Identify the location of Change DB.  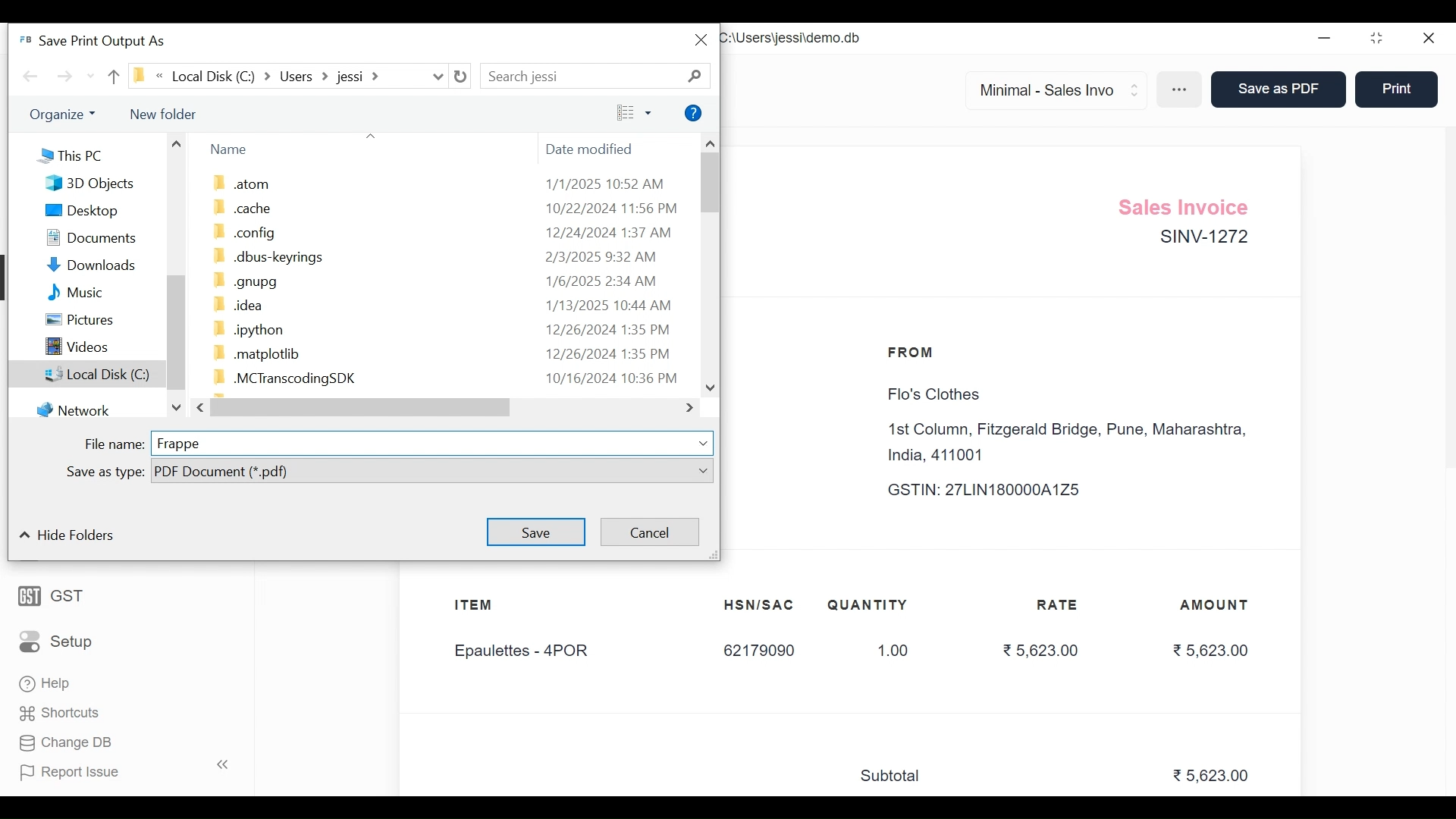
(64, 742).